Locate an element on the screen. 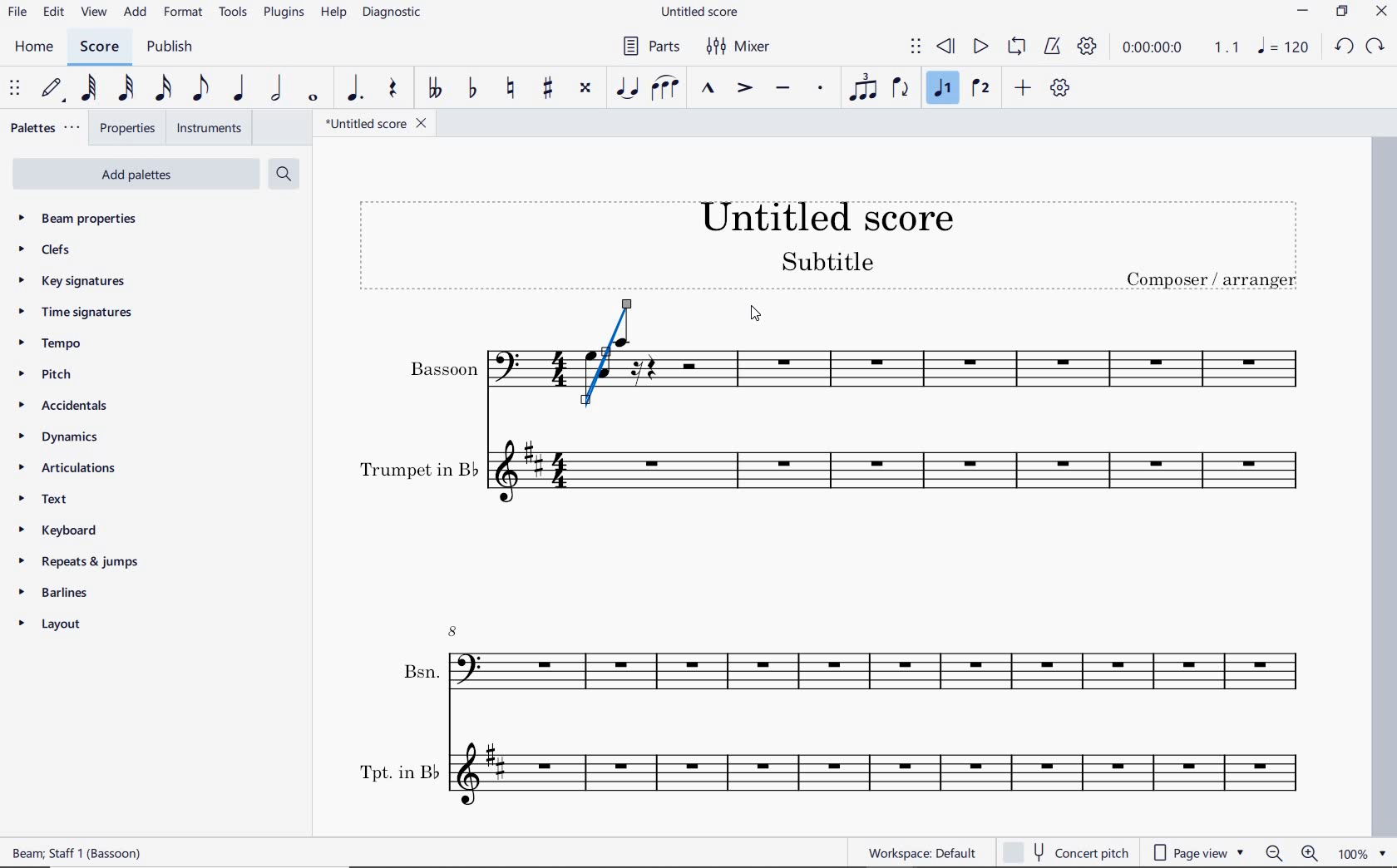 This screenshot has height=868, width=1397. file name is located at coordinates (378, 123).